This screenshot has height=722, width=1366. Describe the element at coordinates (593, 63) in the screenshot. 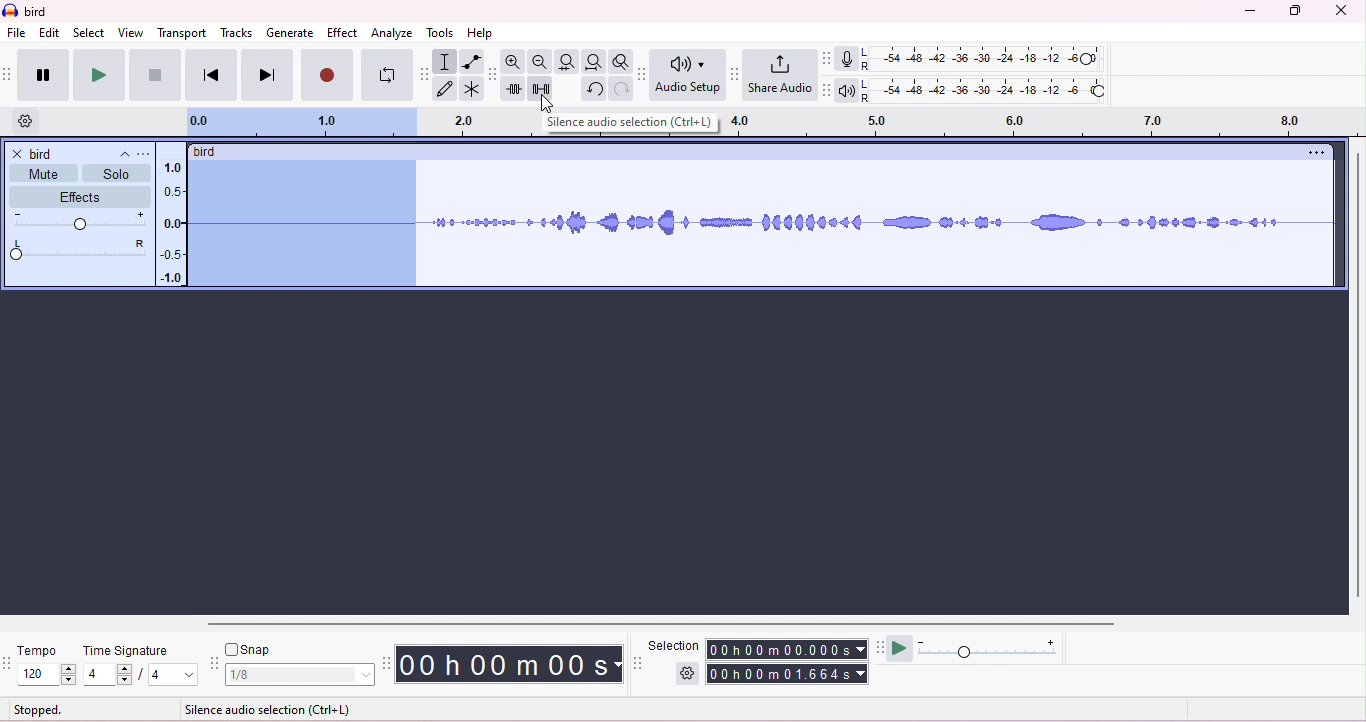

I see `fit project to width` at that location.